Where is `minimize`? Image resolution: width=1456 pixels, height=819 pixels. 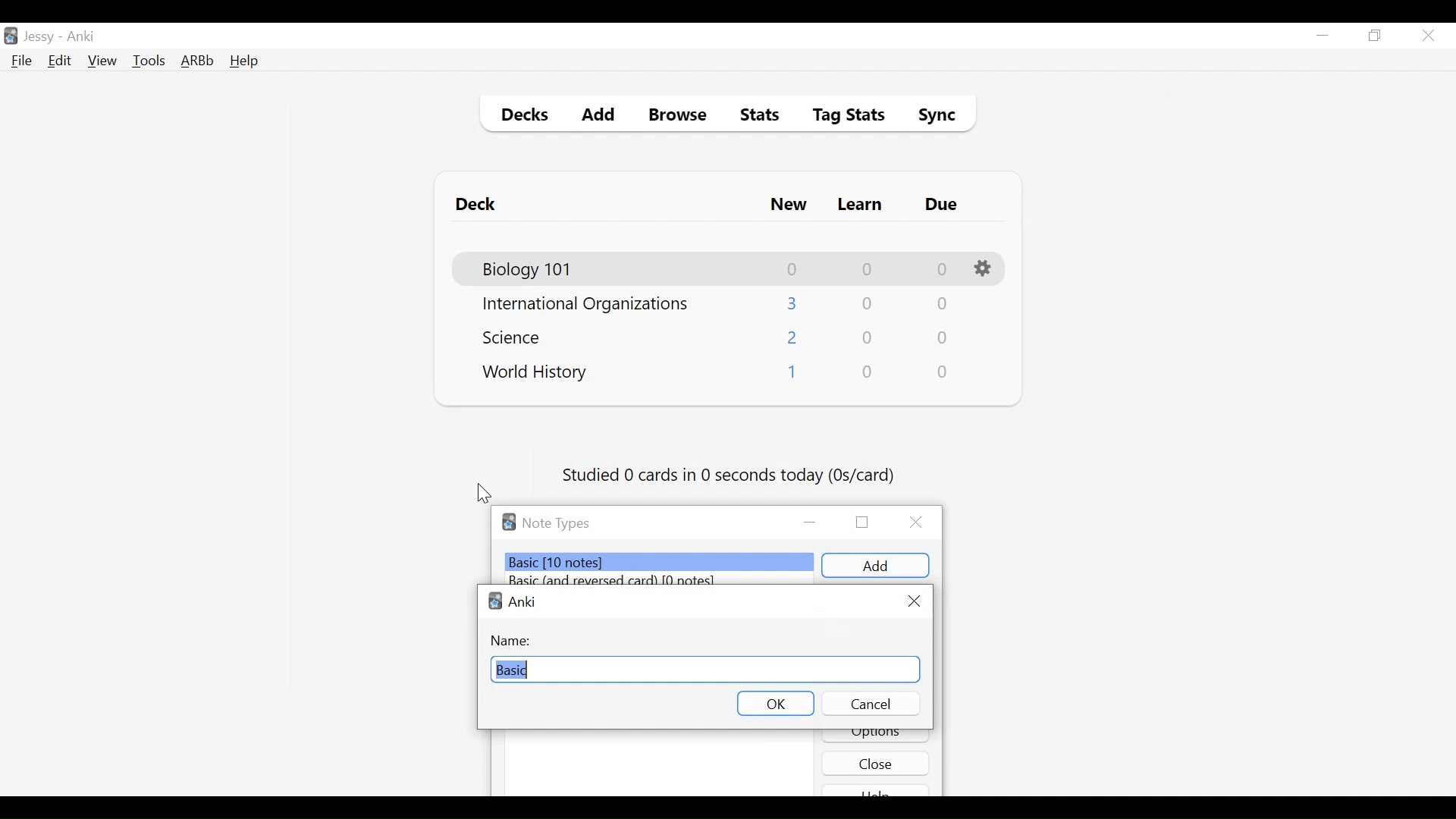
minimize is located at coordinates (1322, 36).